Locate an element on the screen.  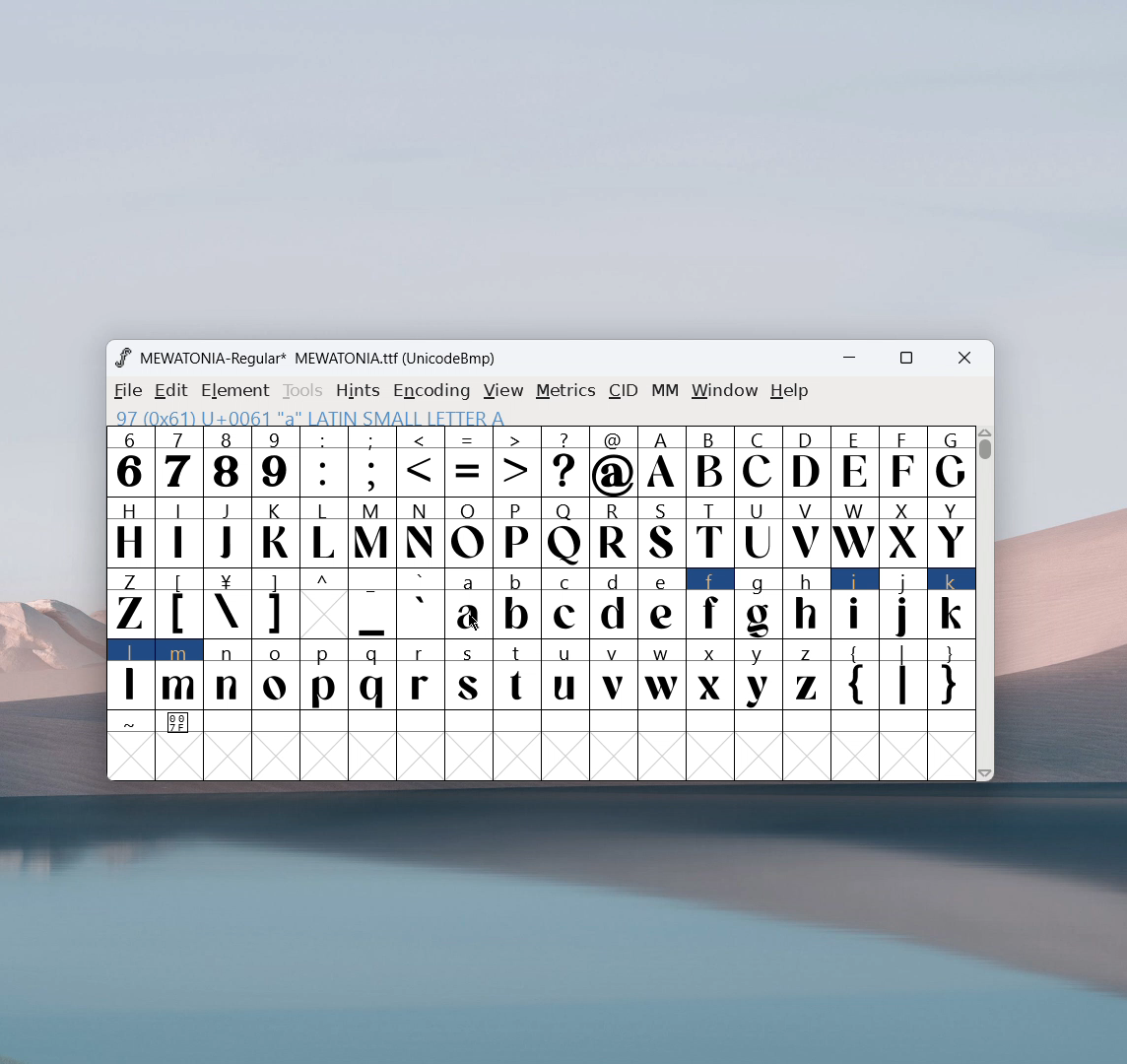
f is located at coordinates (711, 603).